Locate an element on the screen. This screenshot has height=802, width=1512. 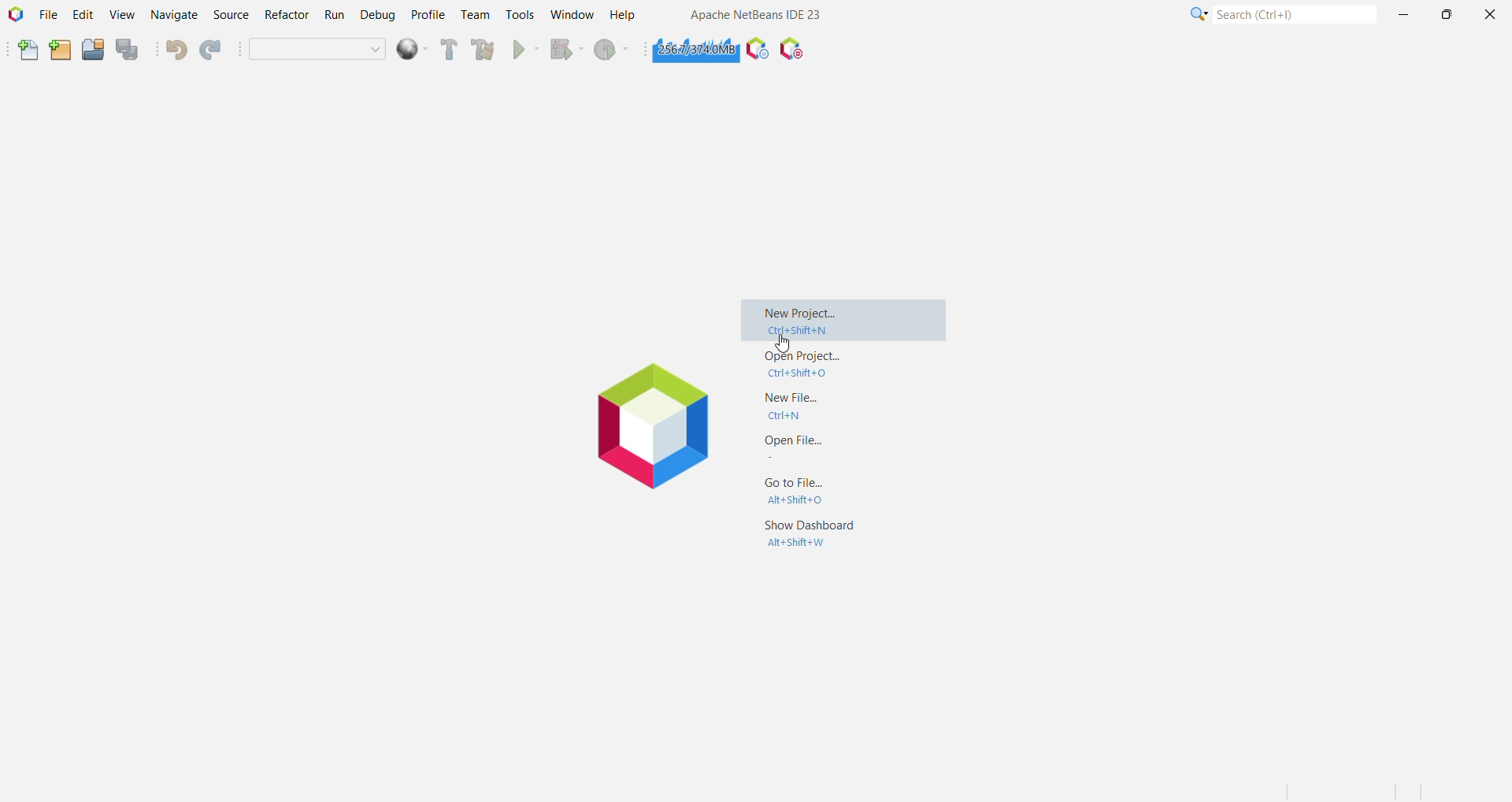
New File is located at coordinates (25, 50).